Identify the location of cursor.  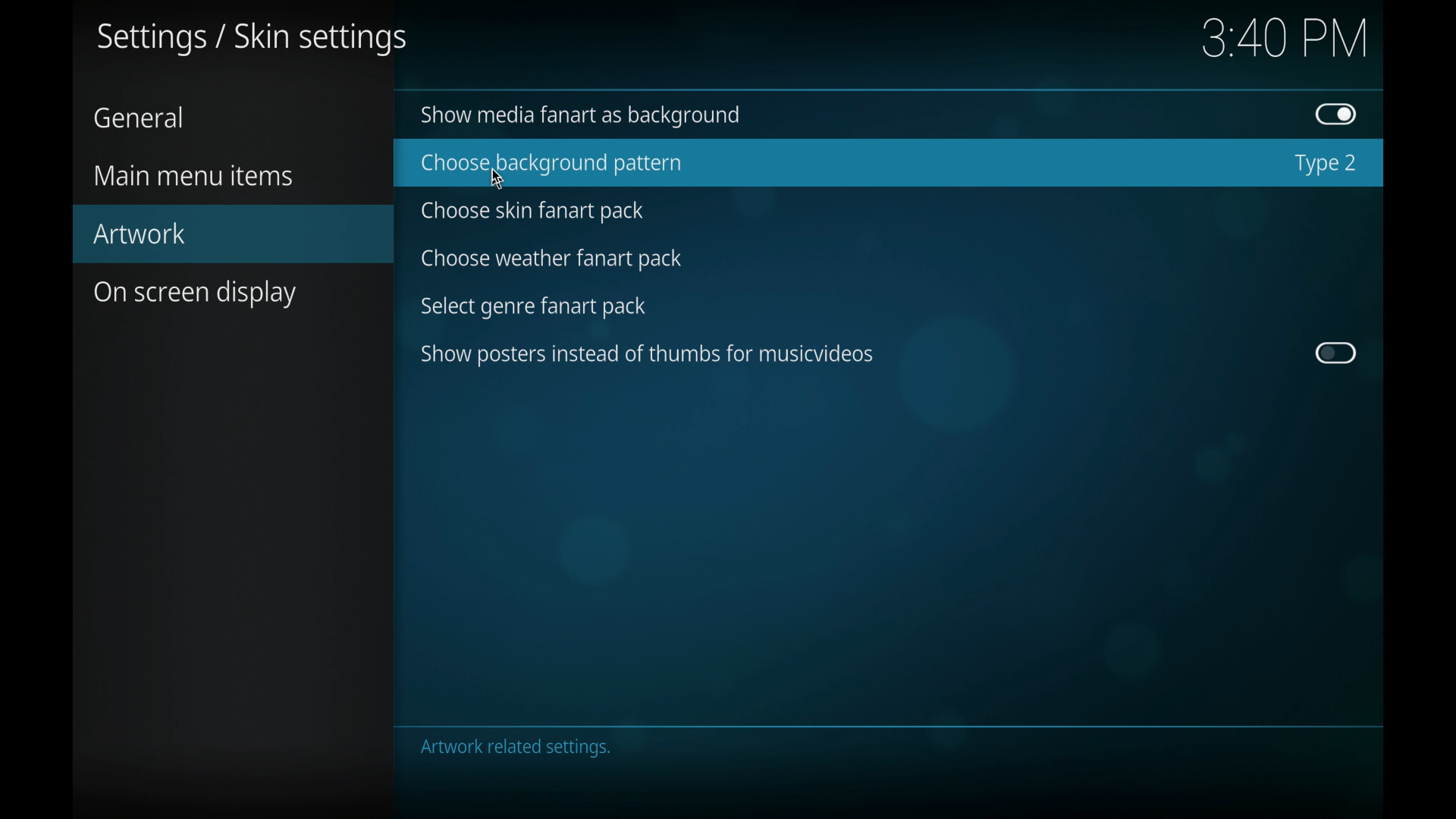
(497, 179).